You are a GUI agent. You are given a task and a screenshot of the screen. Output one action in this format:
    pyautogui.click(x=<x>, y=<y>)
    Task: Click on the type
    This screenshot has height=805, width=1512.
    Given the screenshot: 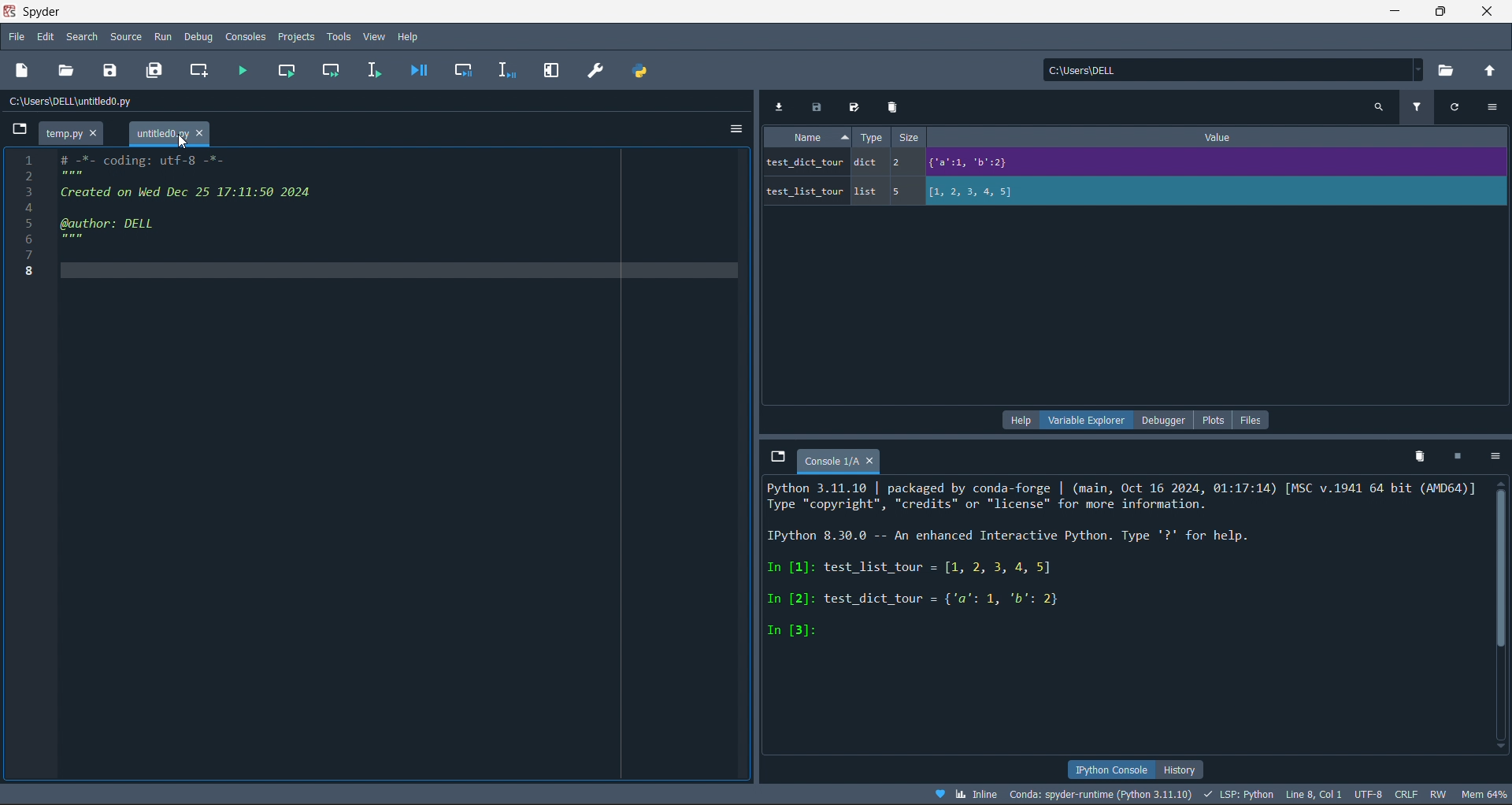 What is the action you would take?
    pyautogui.click(x=871, y=139)
    